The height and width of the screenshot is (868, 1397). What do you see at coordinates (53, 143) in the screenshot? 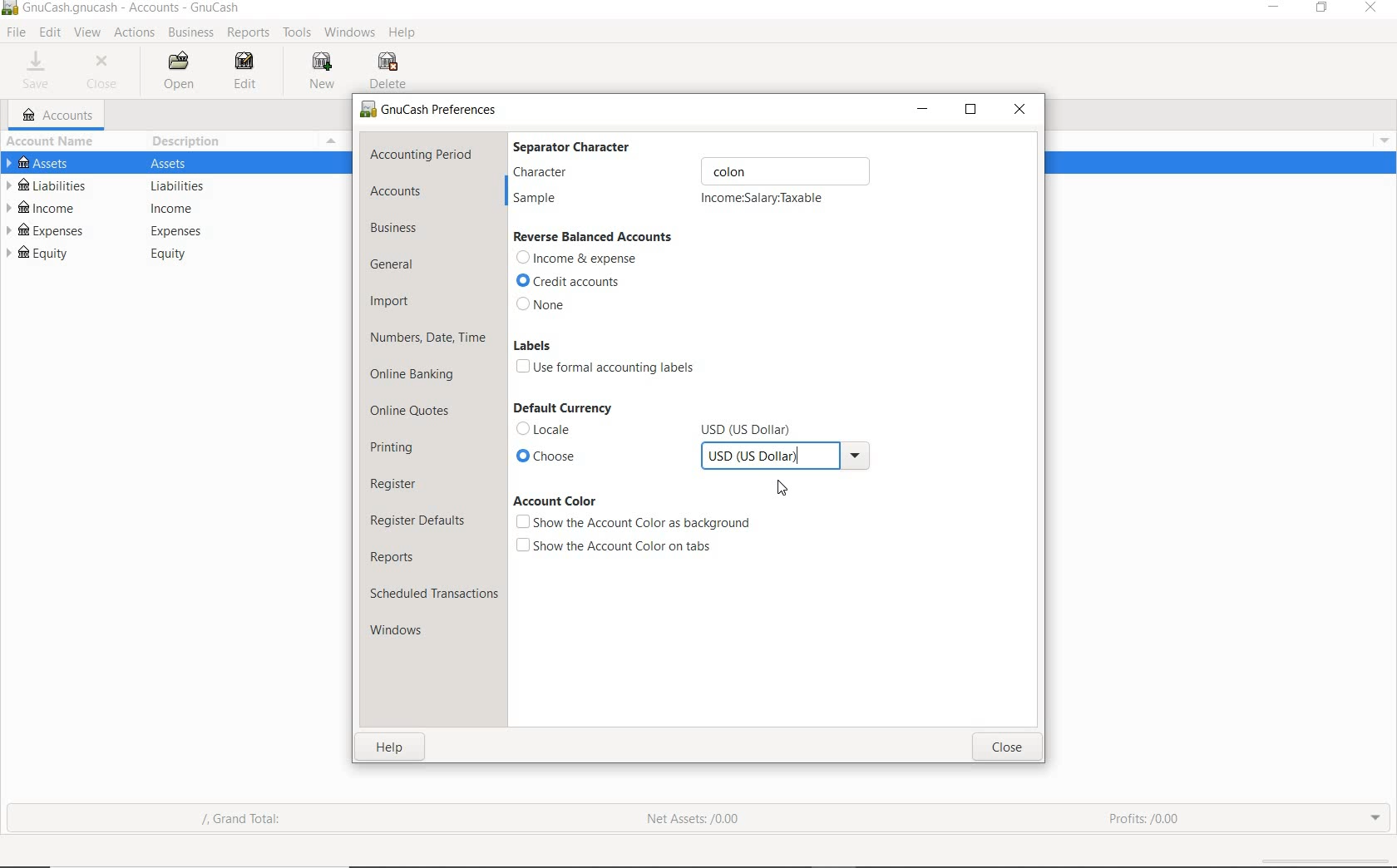
I see `ACCOUNT NAME` at bounding box center [53, 143].